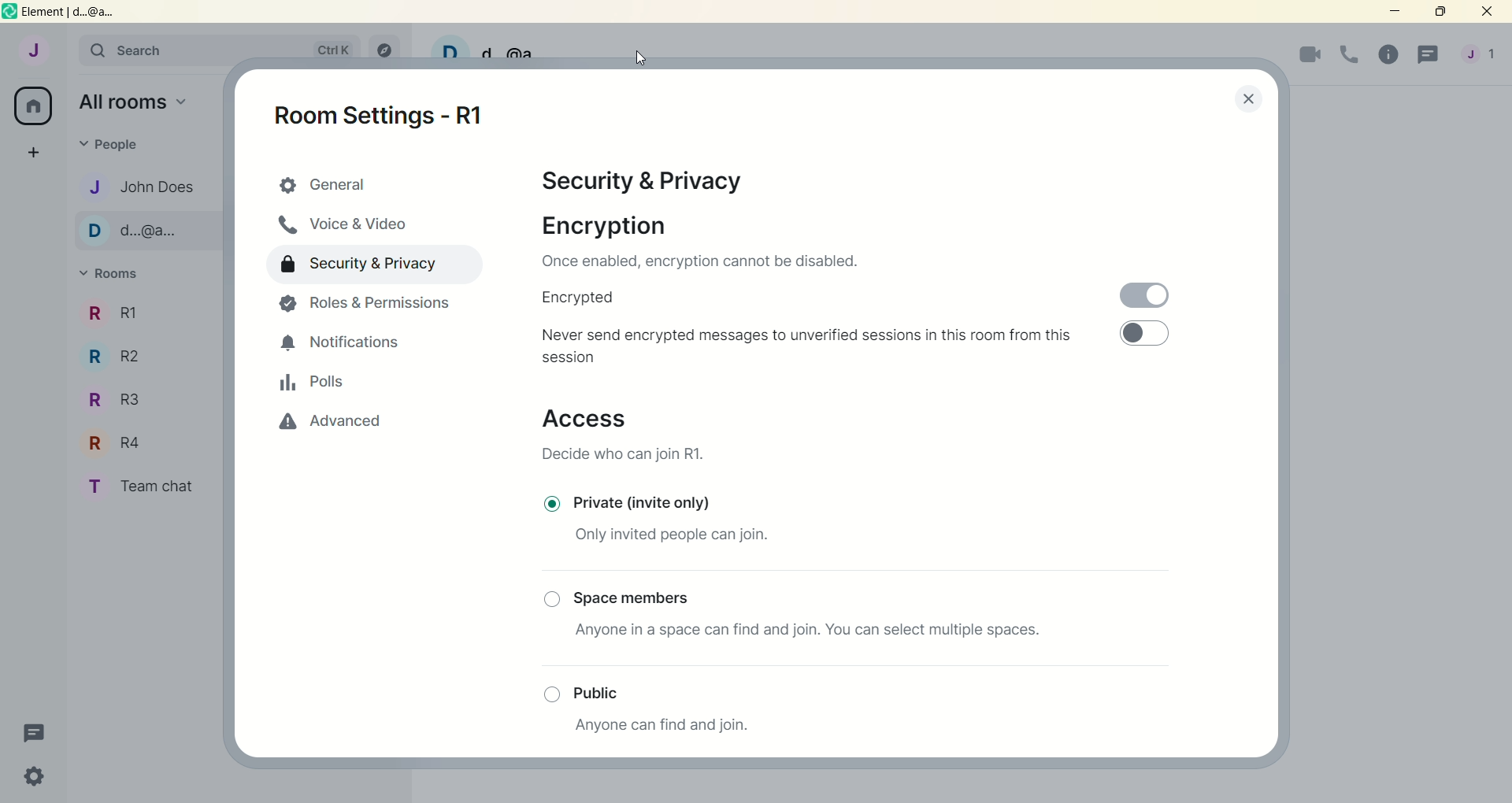 The width and height of the screenshot is (1512, 803). I want to click on D d.@a.., so click(132, 236).